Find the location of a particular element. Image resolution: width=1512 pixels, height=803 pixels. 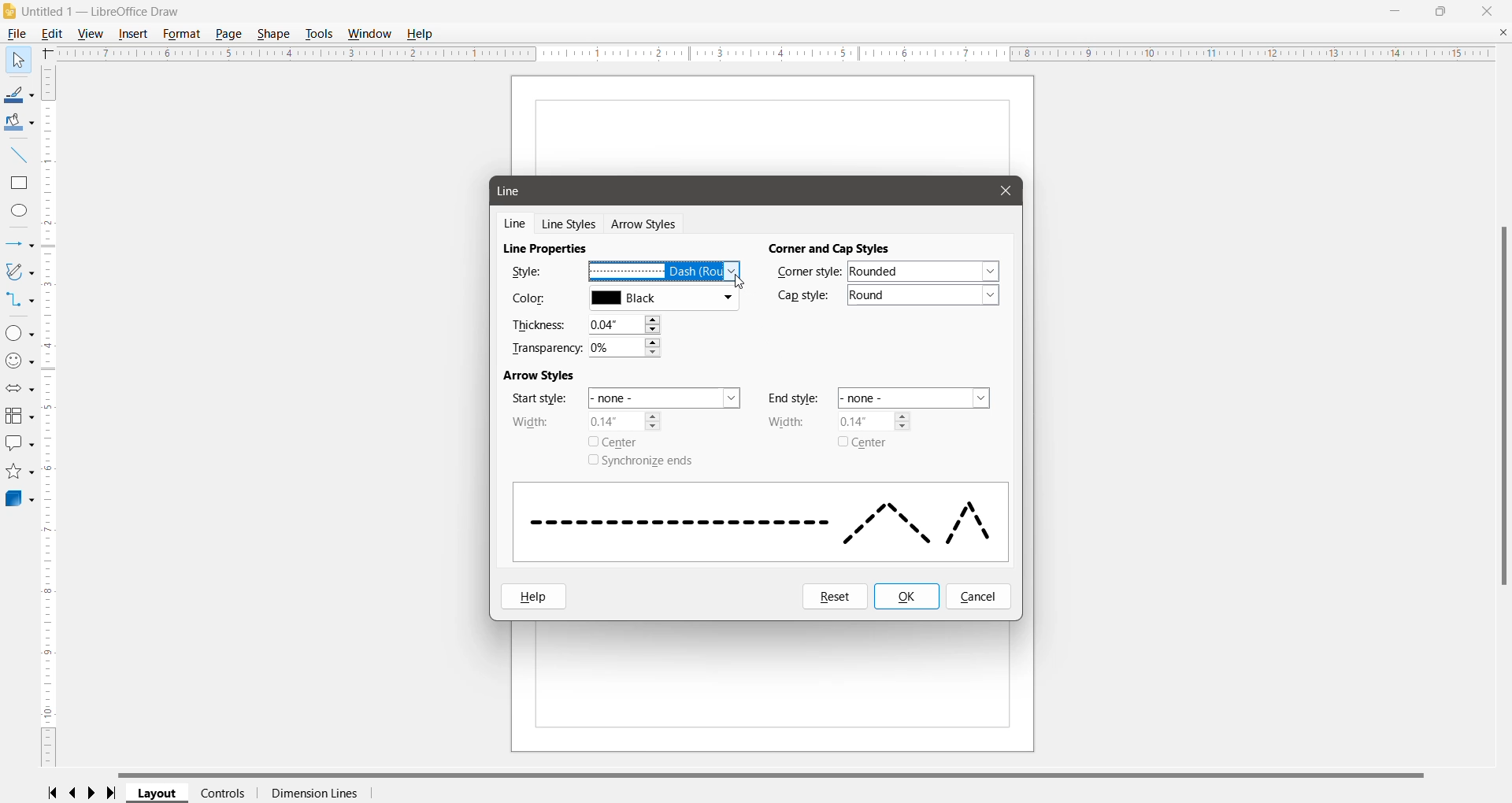

Cap Style is located at coordinates (805, 294).